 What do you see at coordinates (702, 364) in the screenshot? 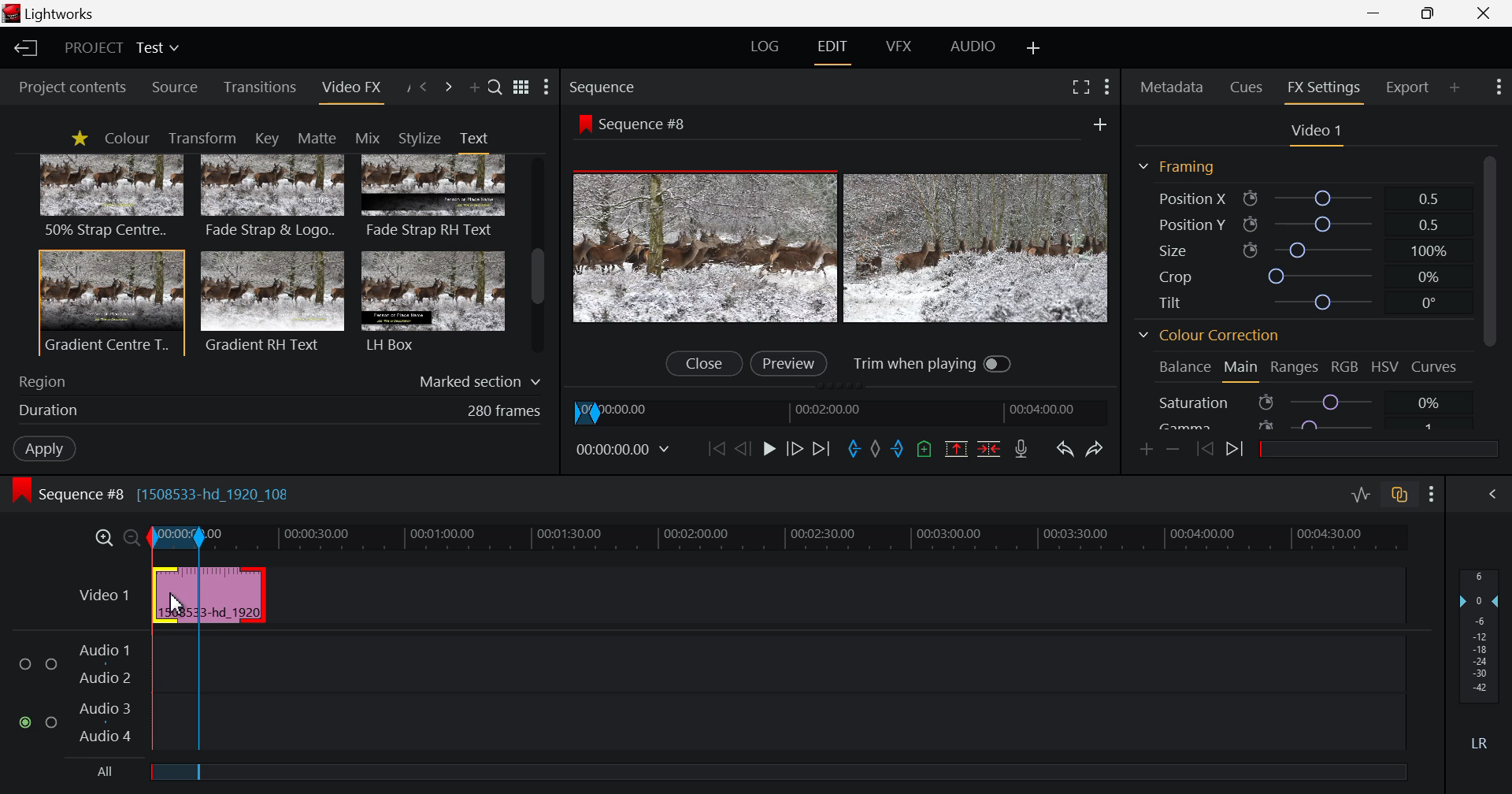
I see `Close` at bounding box center [702, 364].